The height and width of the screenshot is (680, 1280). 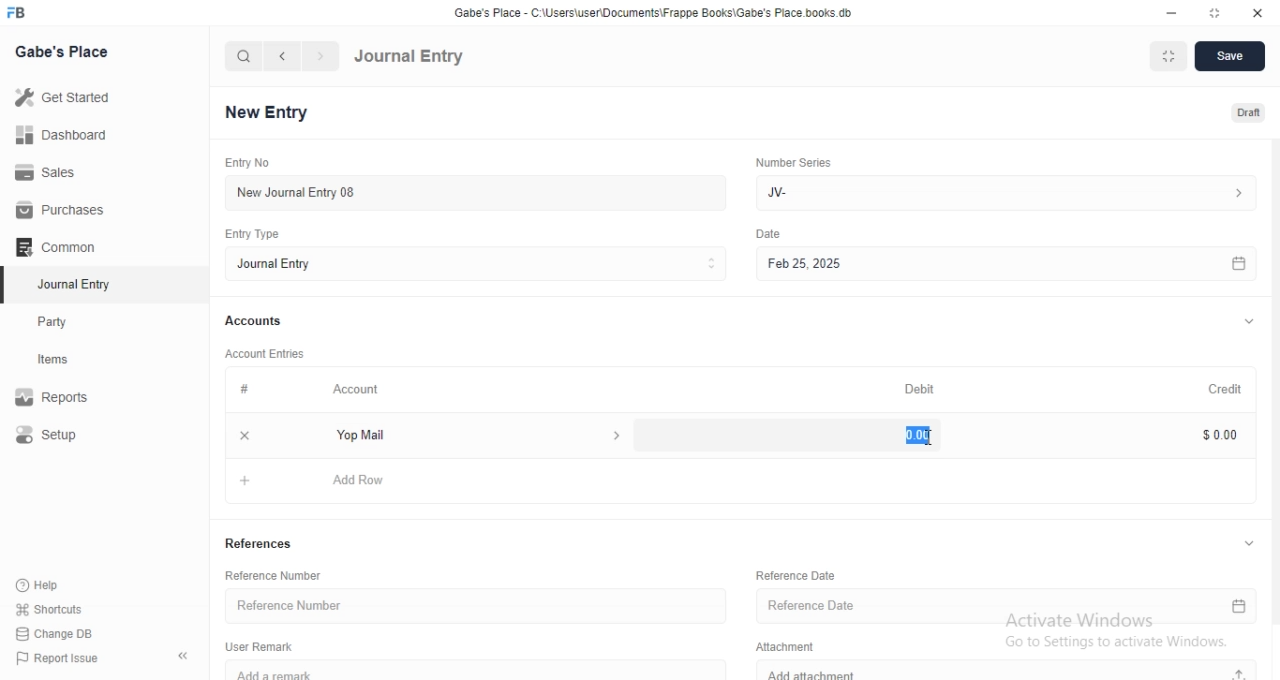 I want to click on Report Issue, so click(x=67, y=658).